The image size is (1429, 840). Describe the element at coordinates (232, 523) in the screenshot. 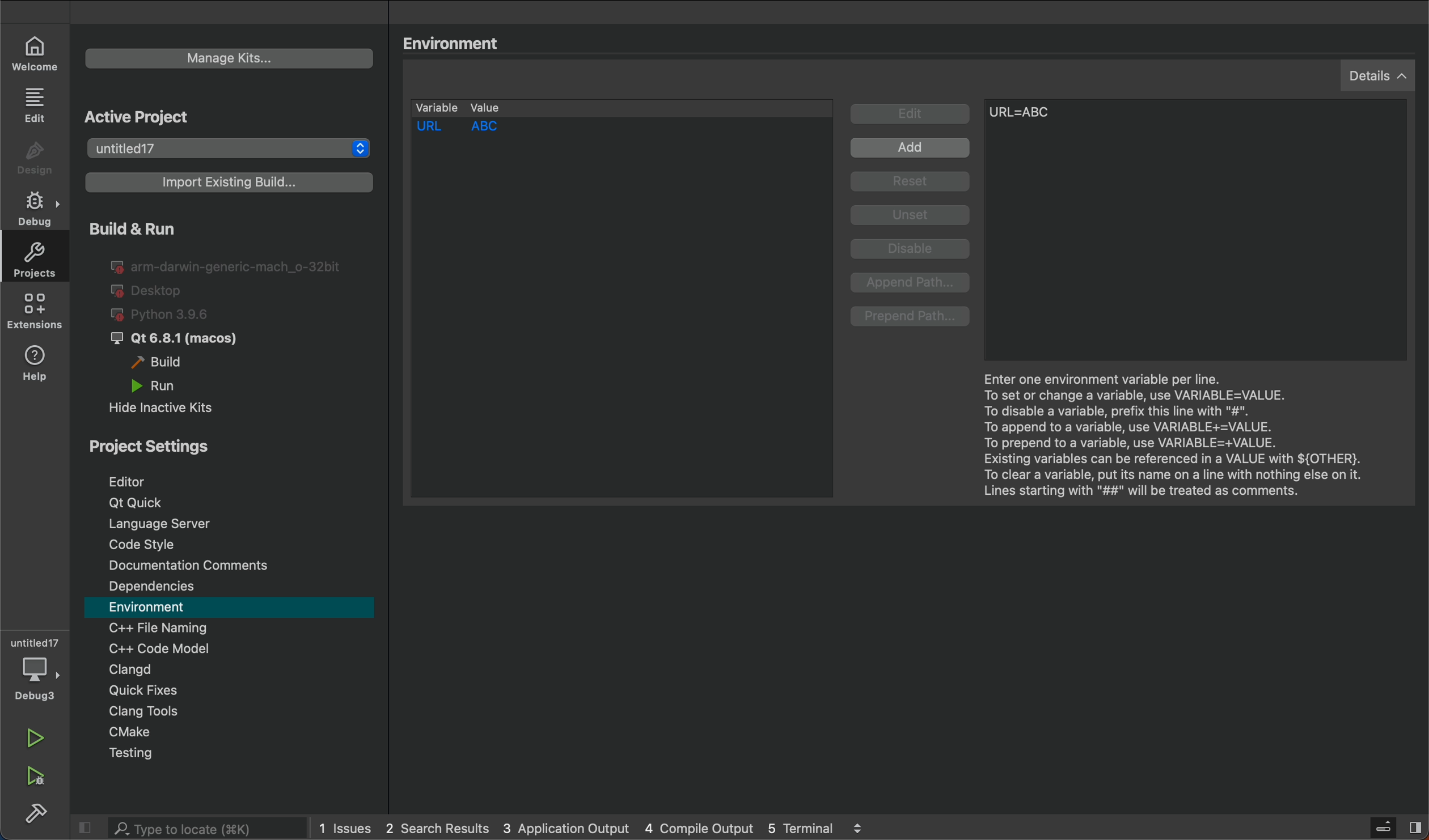

I see `Language server` at that location.